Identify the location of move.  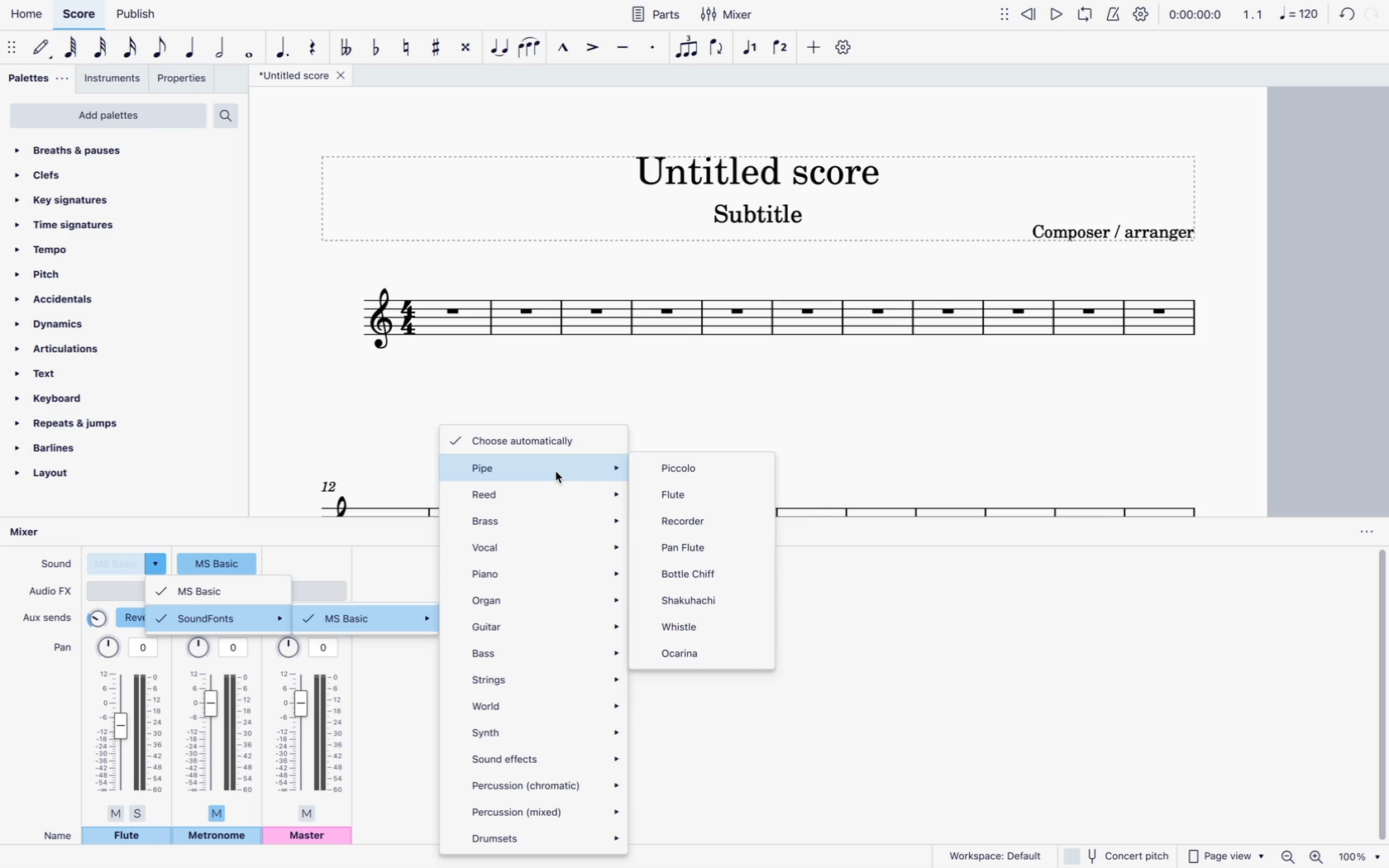
(1005, 13).